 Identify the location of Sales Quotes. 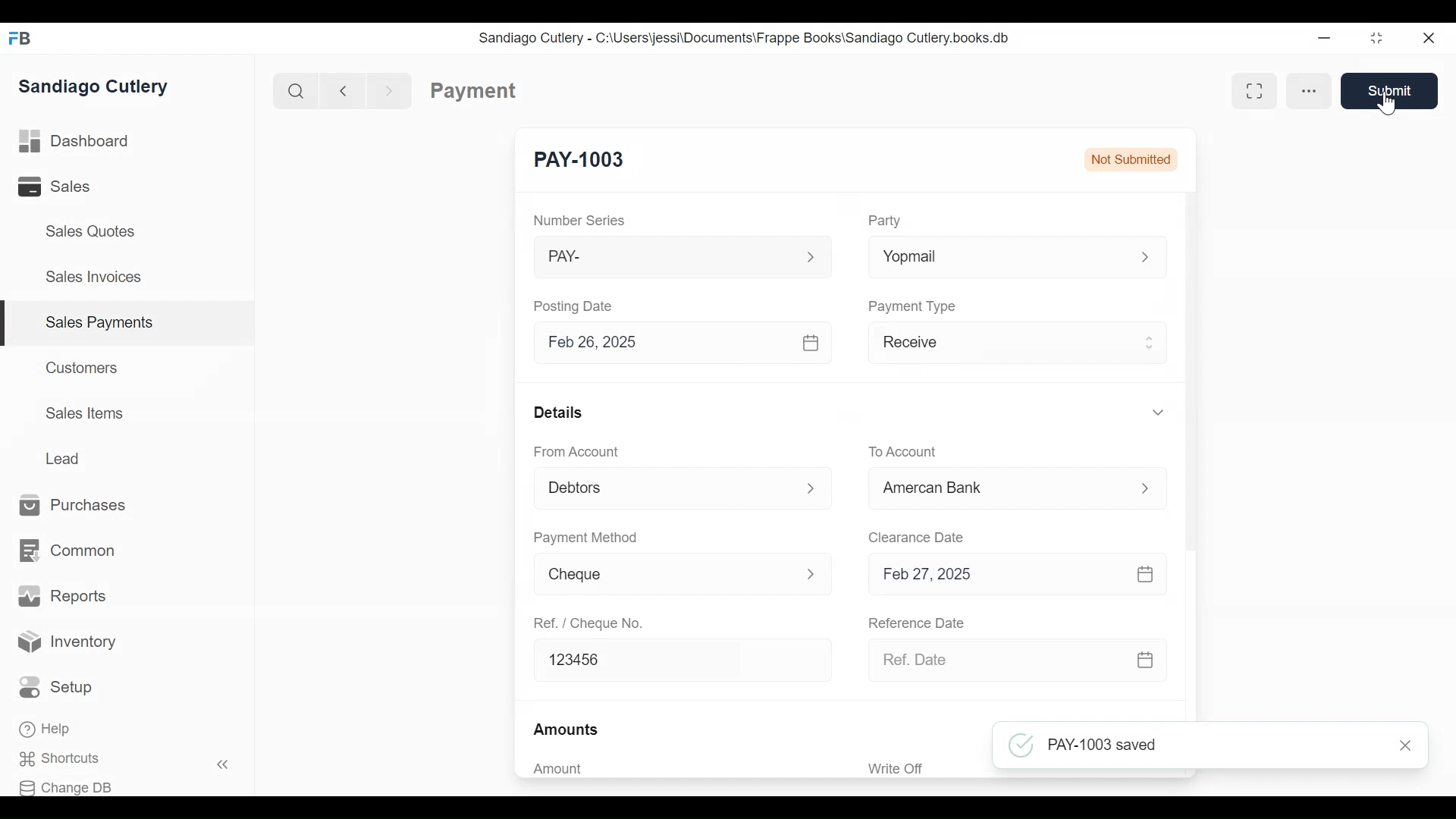
(89, 231).